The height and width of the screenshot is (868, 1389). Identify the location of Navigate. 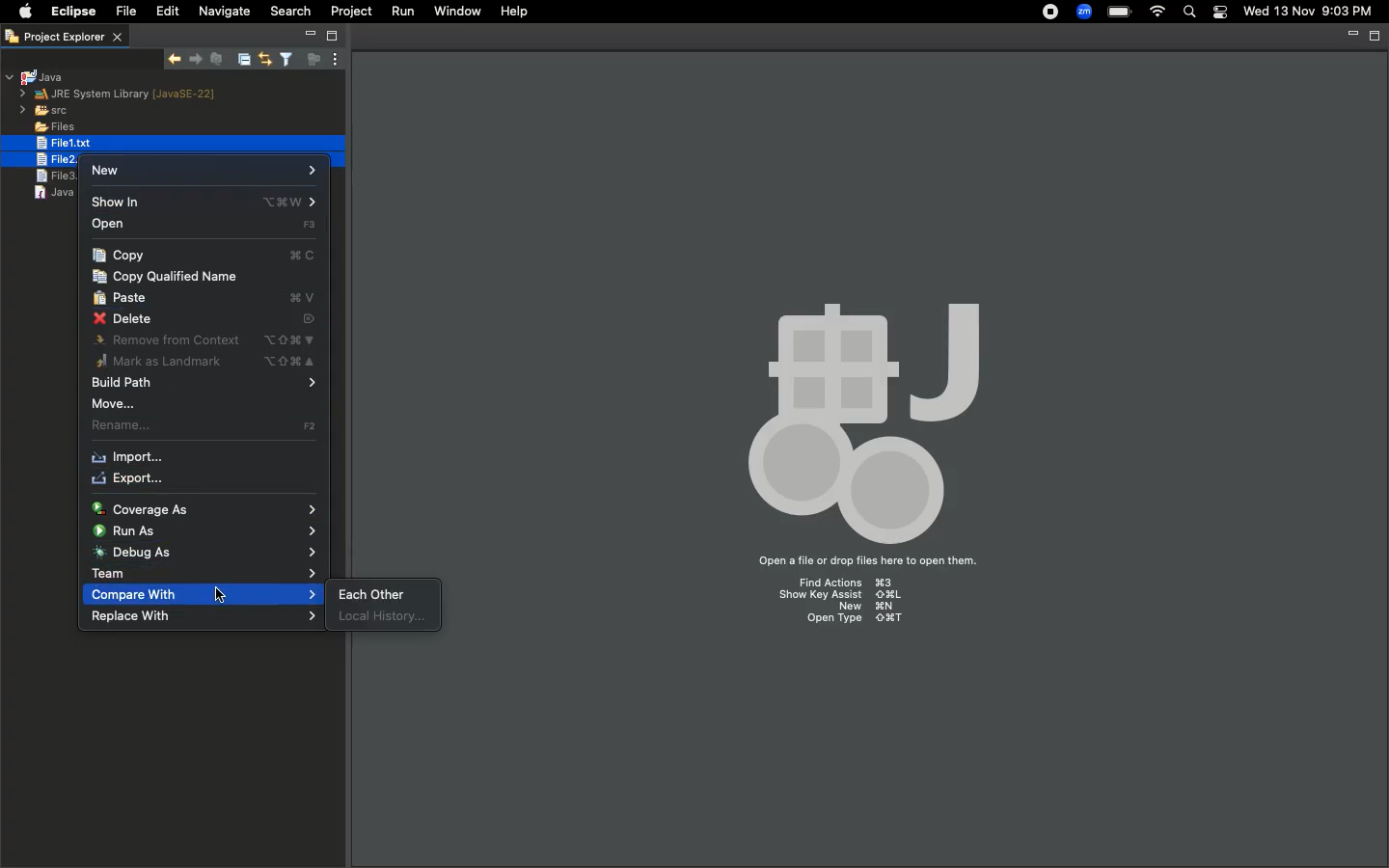
(225, 12).